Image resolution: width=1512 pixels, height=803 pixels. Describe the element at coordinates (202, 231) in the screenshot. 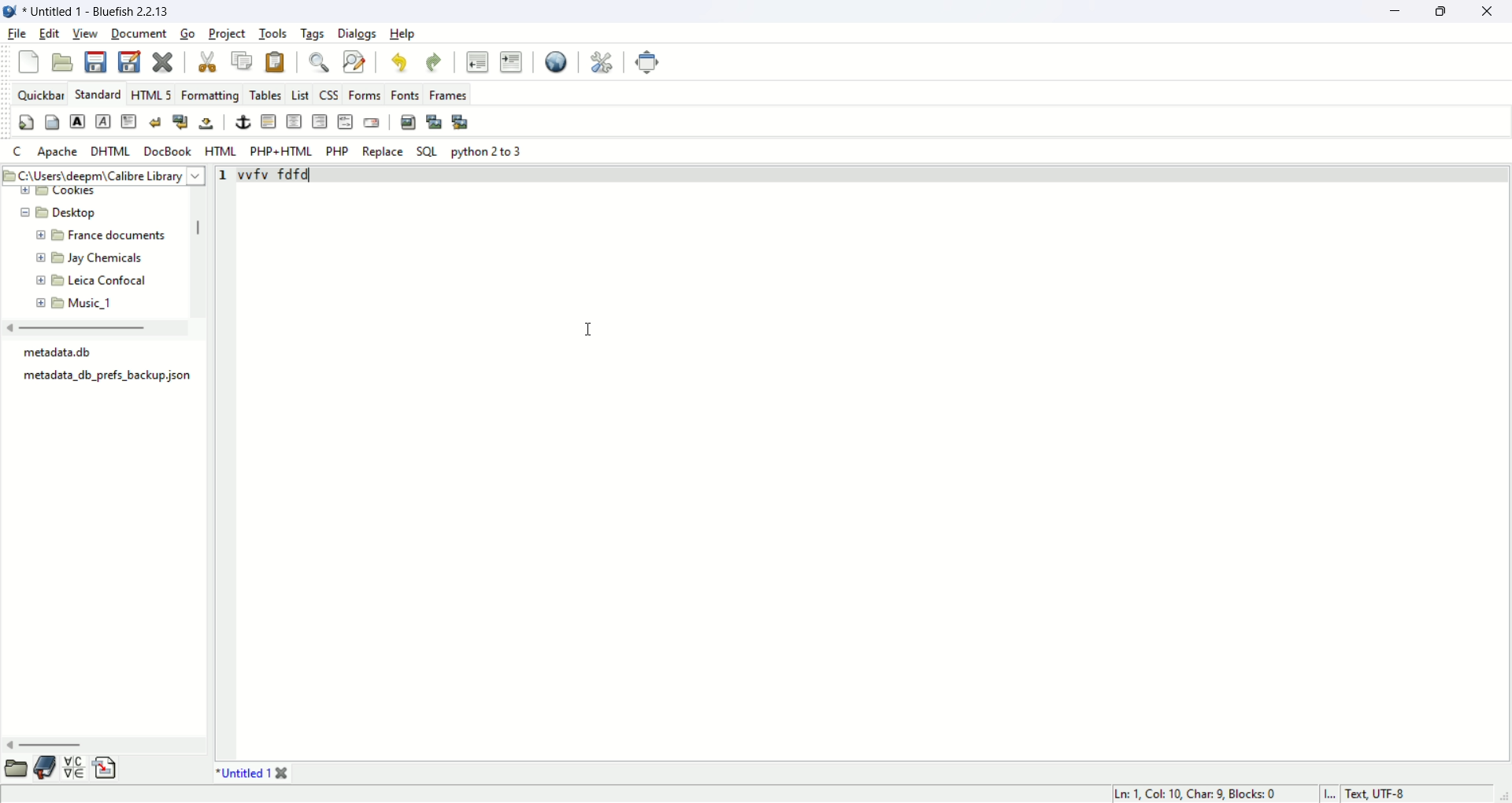

I see `vertical scroll bar` at that location.